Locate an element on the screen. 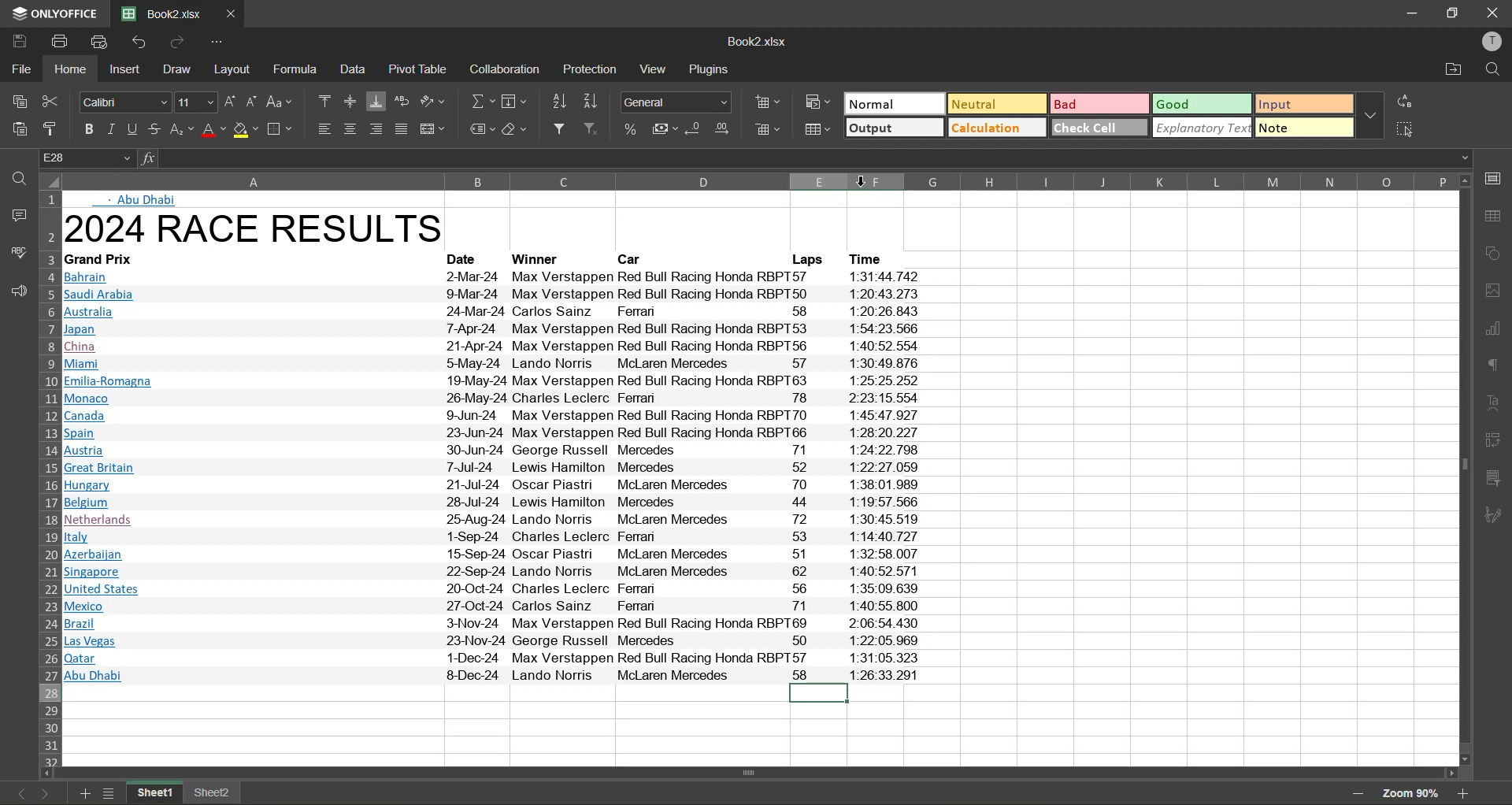 The width and height of the screenshot is (1512, 805). file name: Book2 xisx is located at coordinates (160, 14).